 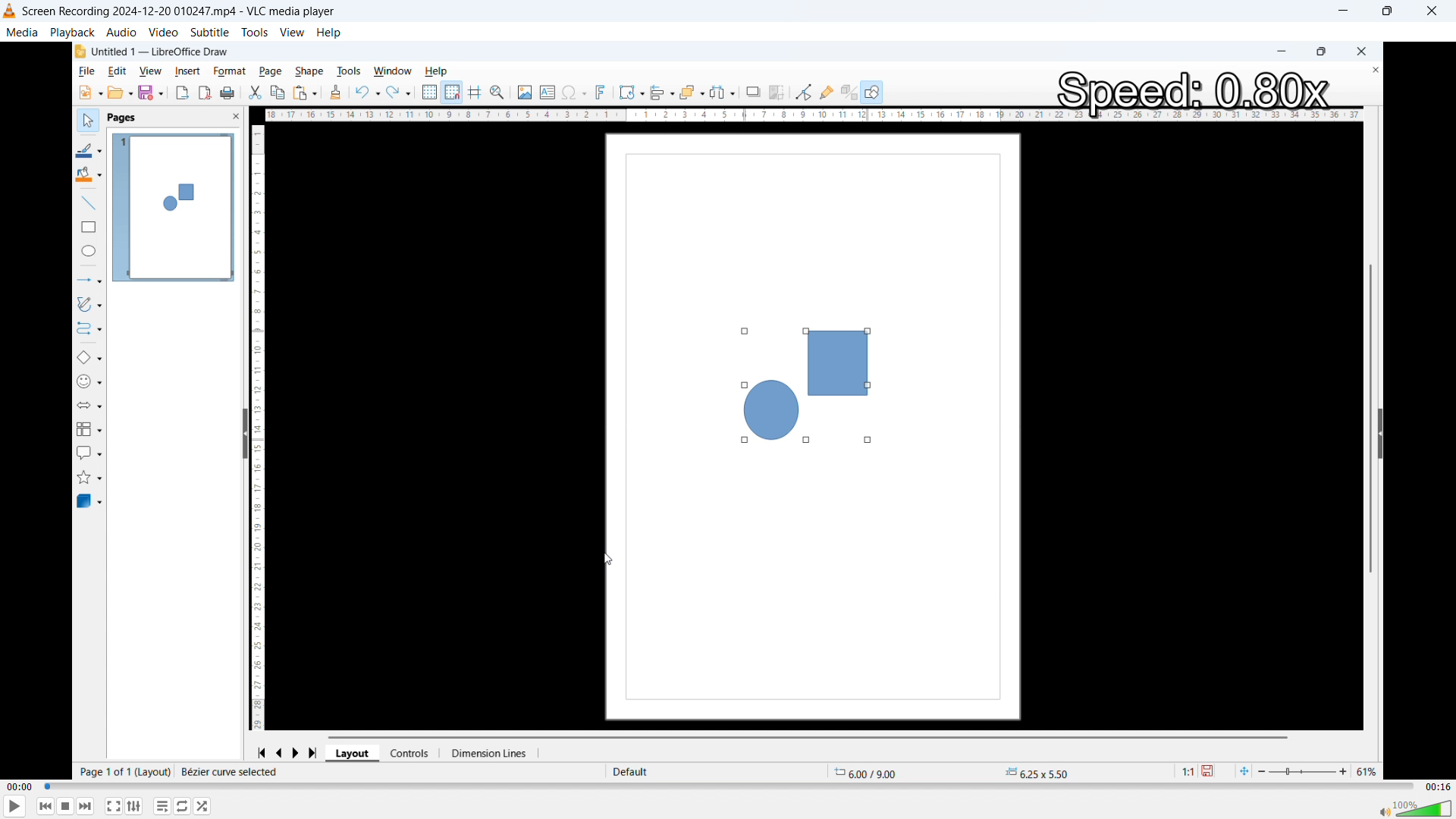 What do you see at coordinates (1432, 11) in the screenshot?
I see `close ` at bounding box center [1432, 11].